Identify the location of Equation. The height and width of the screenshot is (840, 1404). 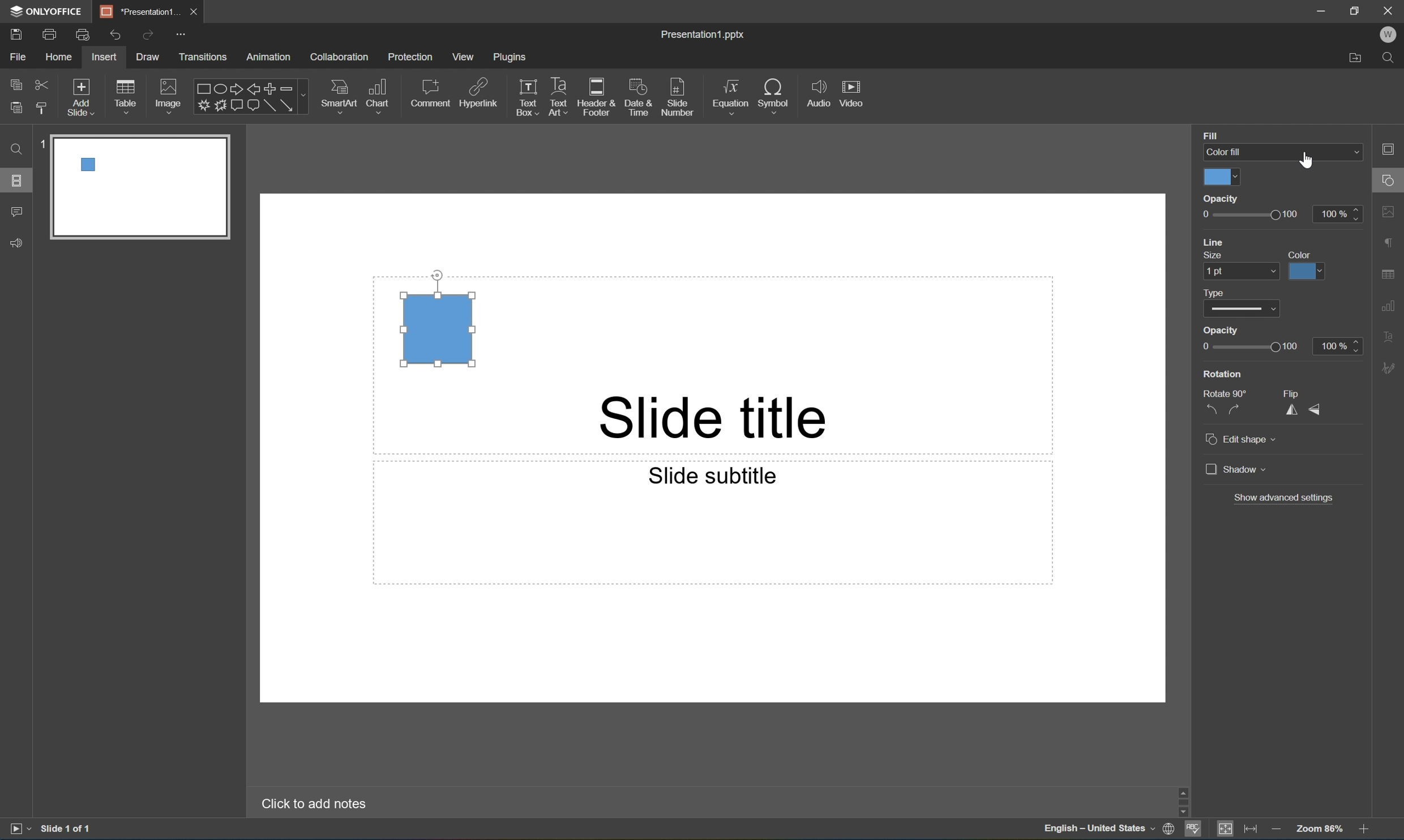
(731, 93).